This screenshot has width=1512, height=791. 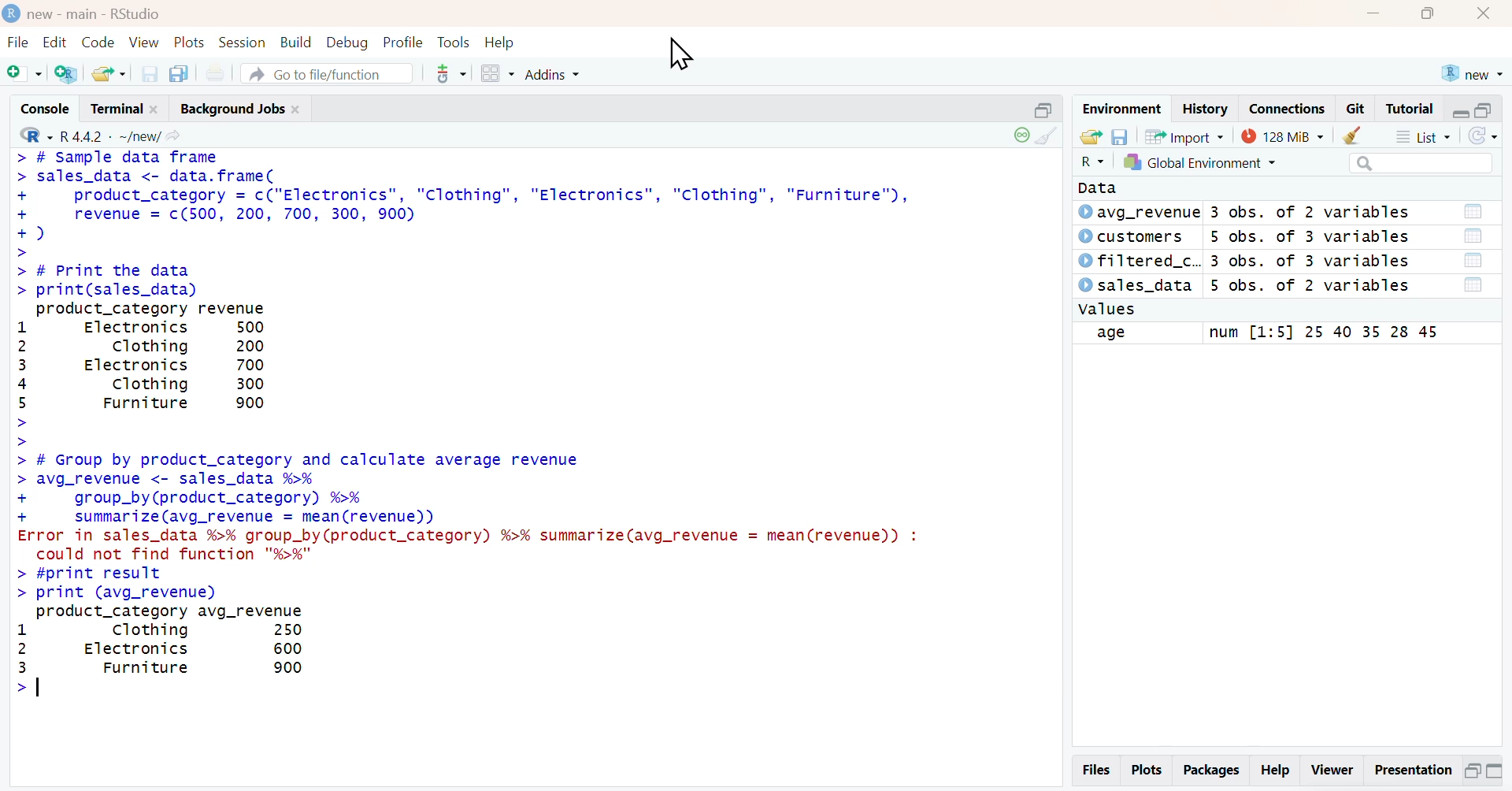 I want to click on Console, so click(x=46, y=108).